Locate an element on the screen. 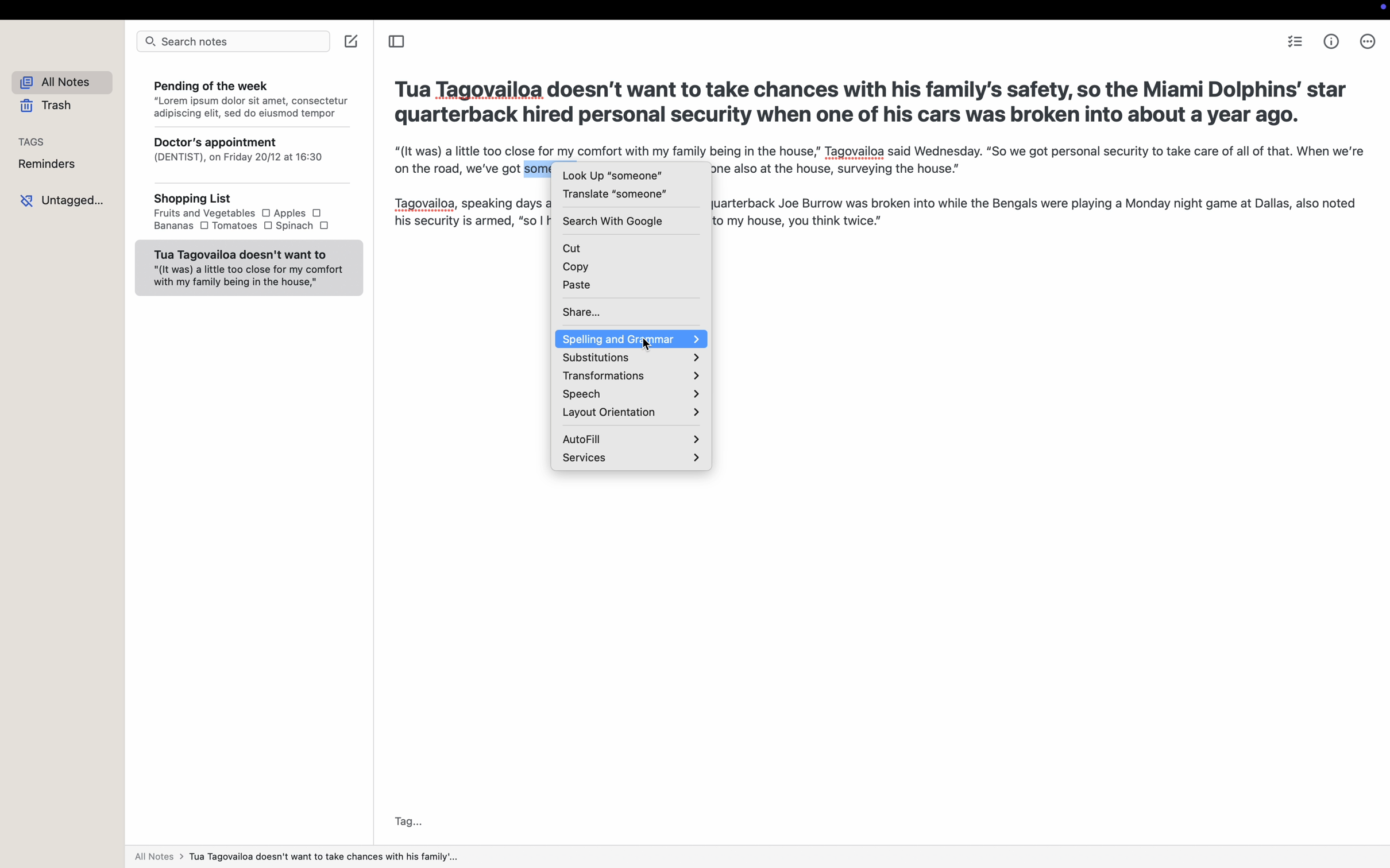 Image resolution: width=1390 pixels, height=868 pixels. look up"someone" is located at coordinates (612, 175).